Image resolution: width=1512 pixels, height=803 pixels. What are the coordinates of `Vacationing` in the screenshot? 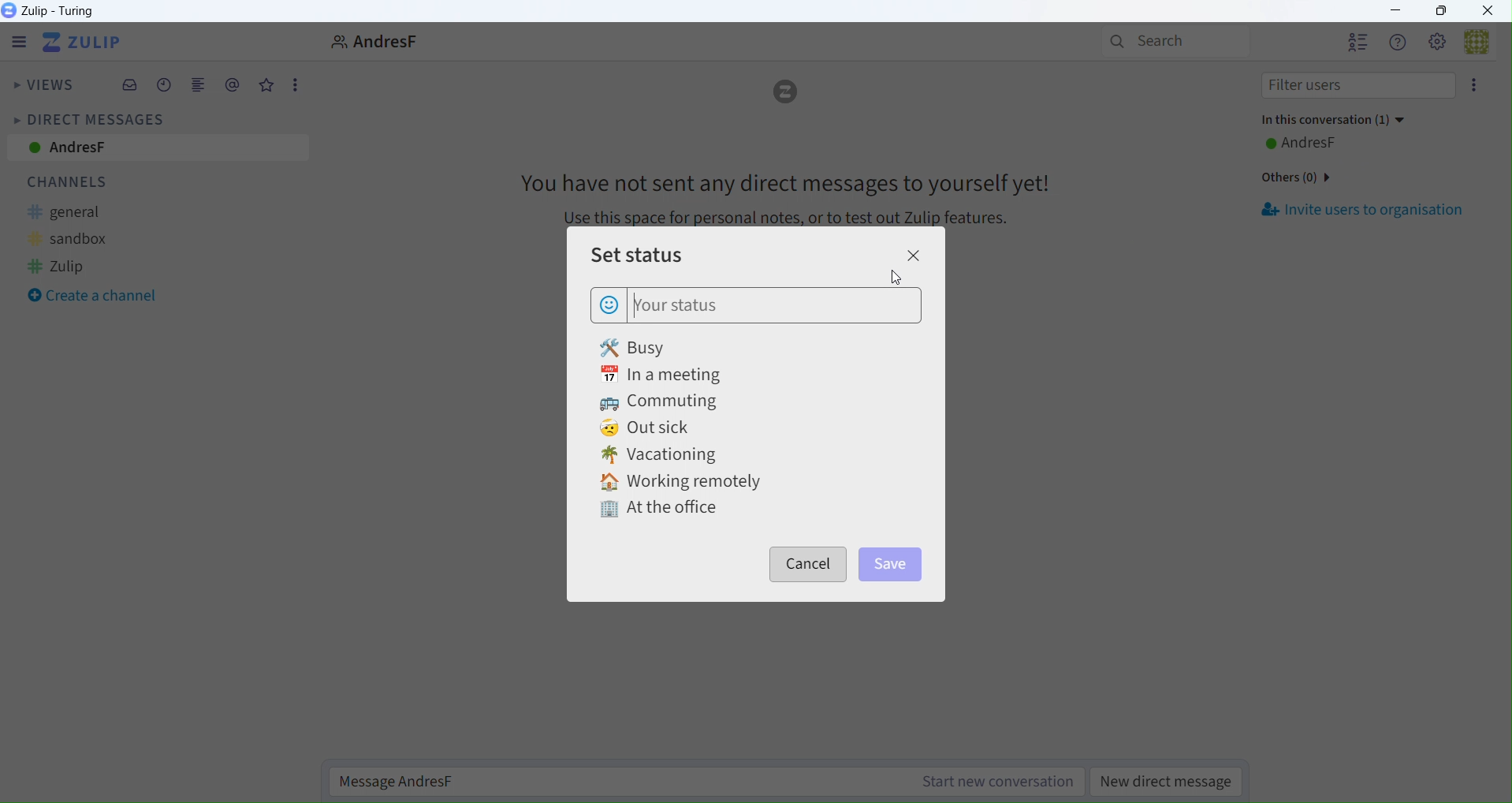 It's located at (665, 455).